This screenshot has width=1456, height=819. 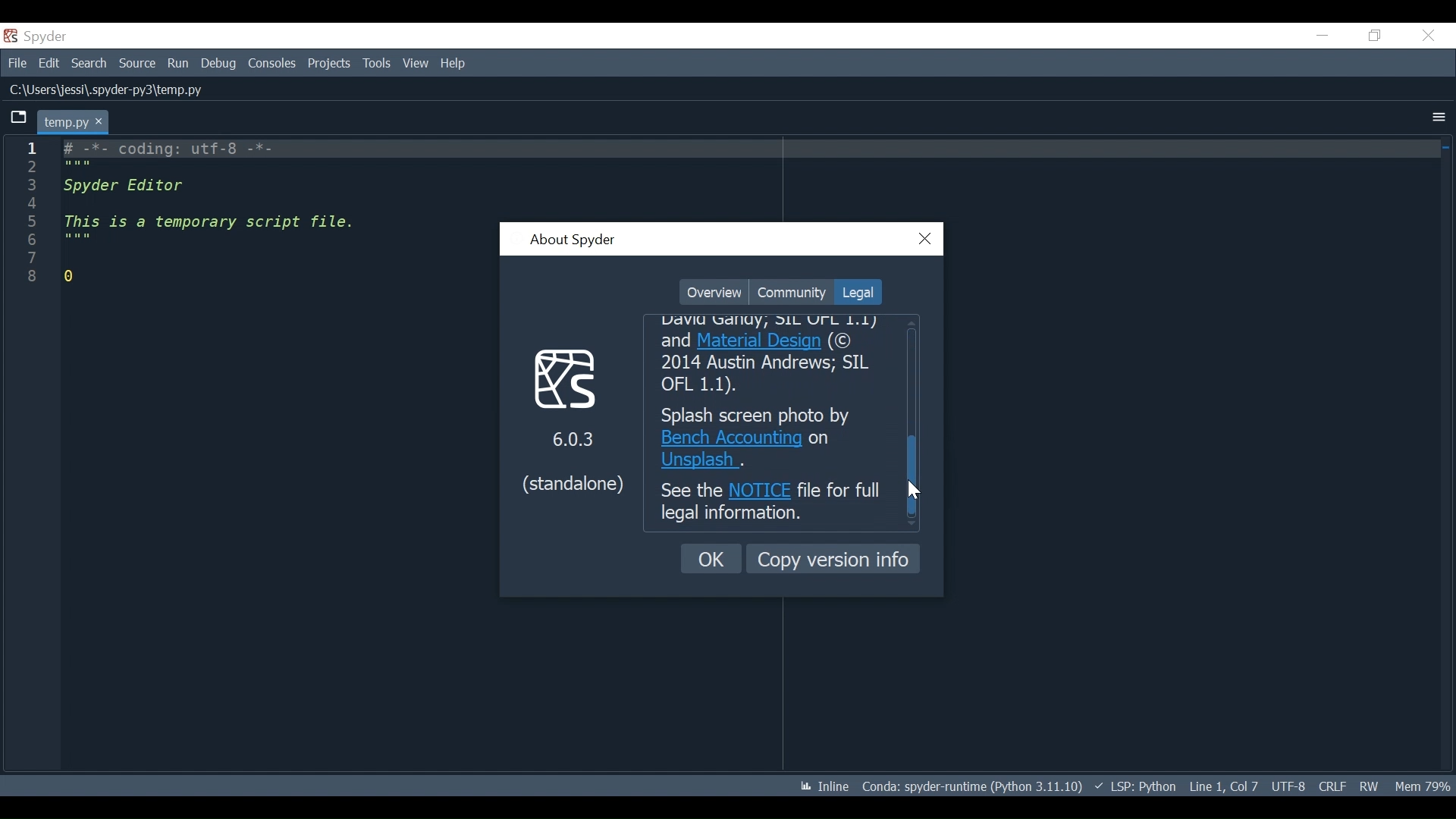 What do you see at coordinates (179, 64) in the screenshot?
I see `Run` at bounding box center [179, 64].